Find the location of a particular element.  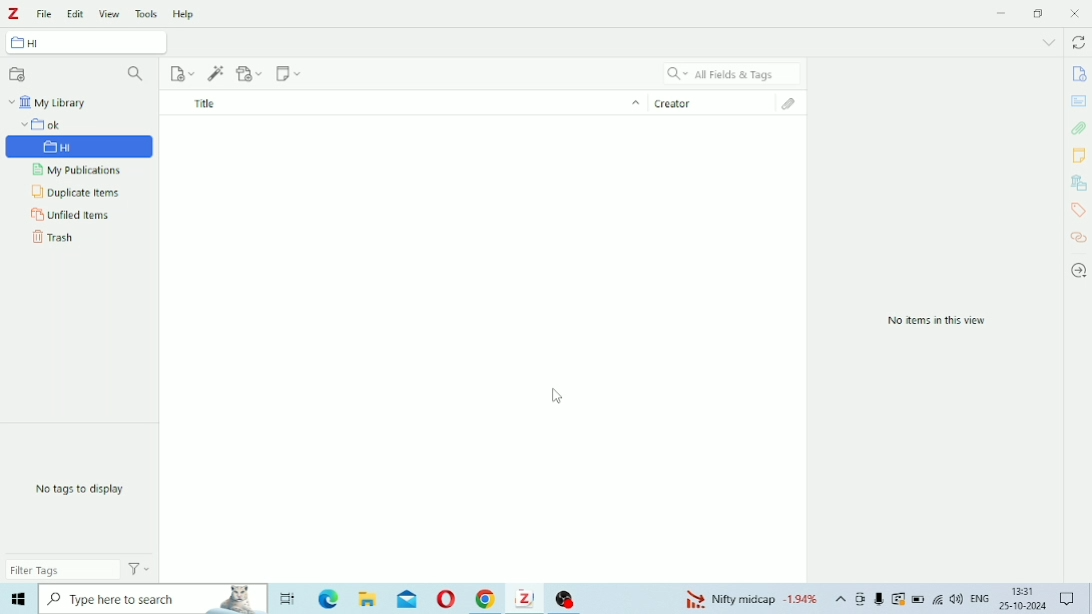

Zotero is located at coordinates (527, 598).